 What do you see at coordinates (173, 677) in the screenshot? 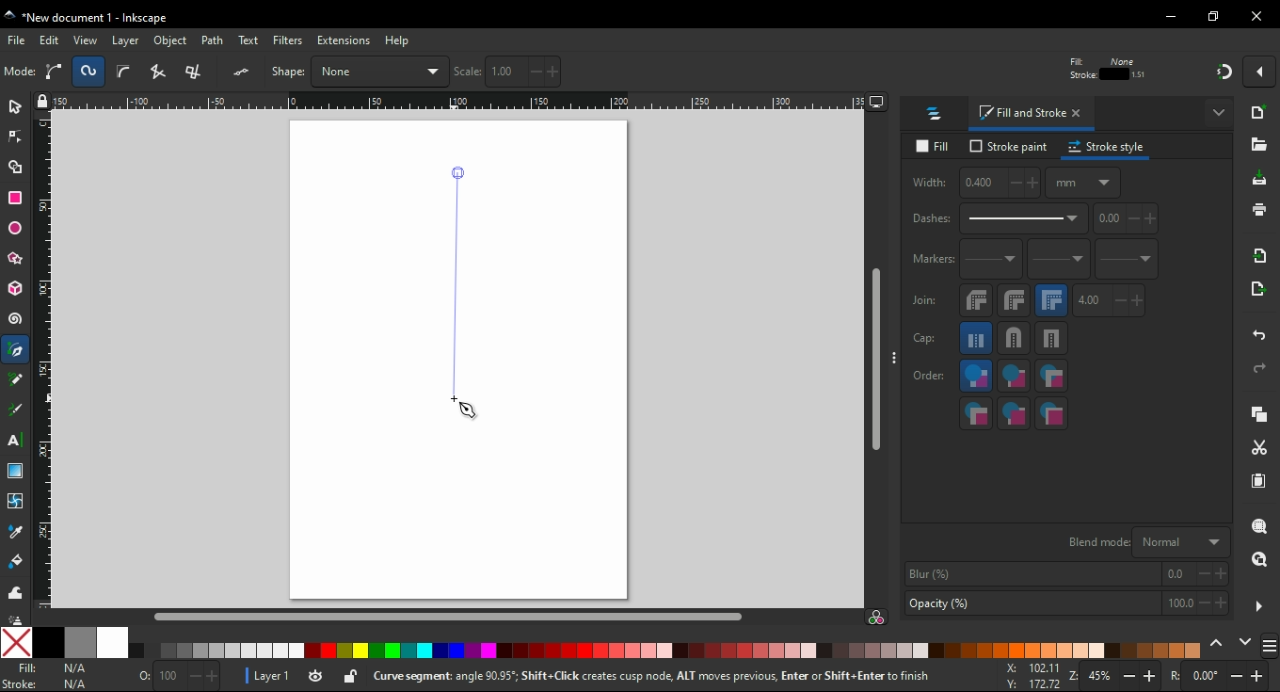
I see `Size` at bounding box center [173, 677].